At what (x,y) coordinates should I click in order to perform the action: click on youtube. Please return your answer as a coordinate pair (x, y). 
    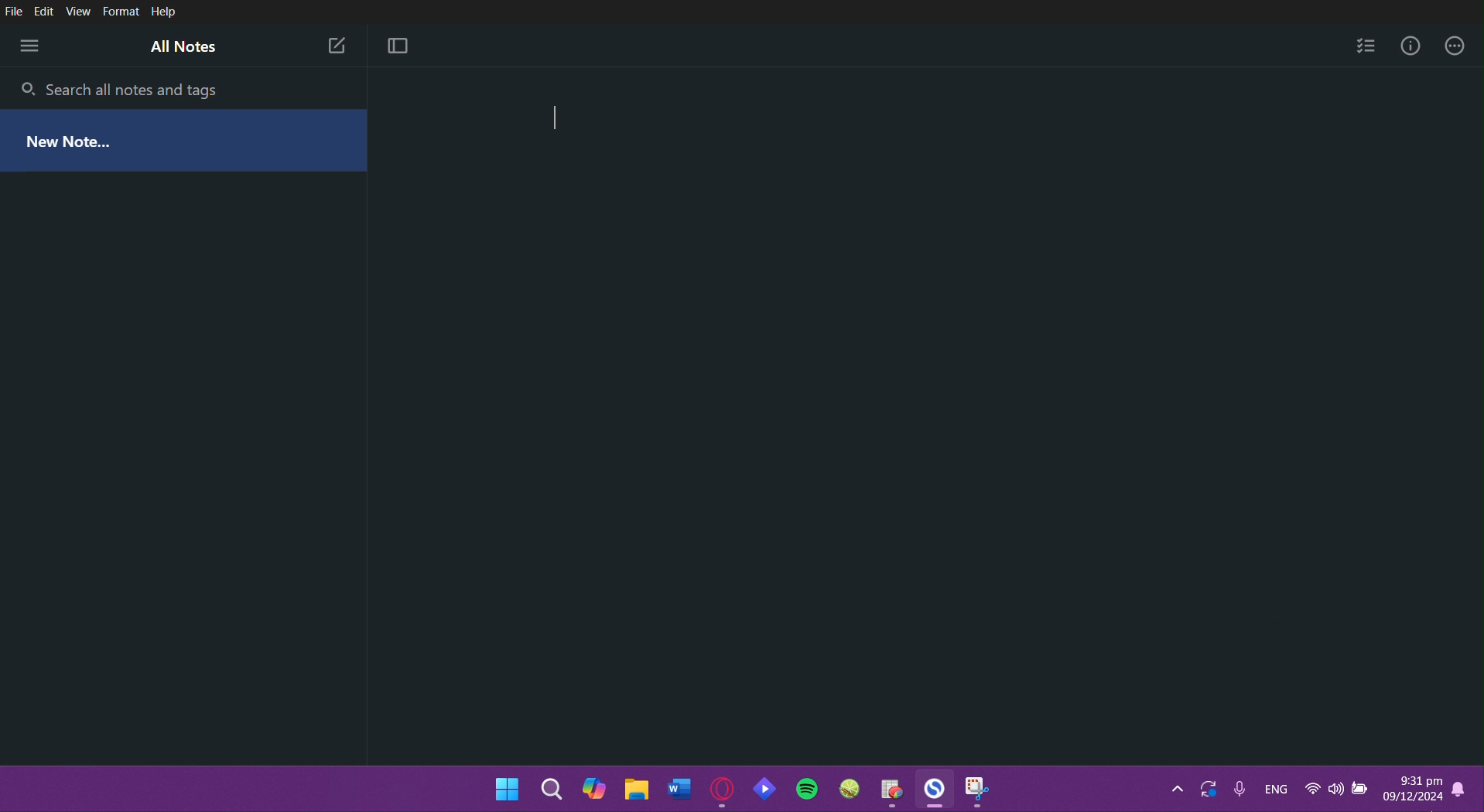
    Looking at the image, I should click on (766, 793).